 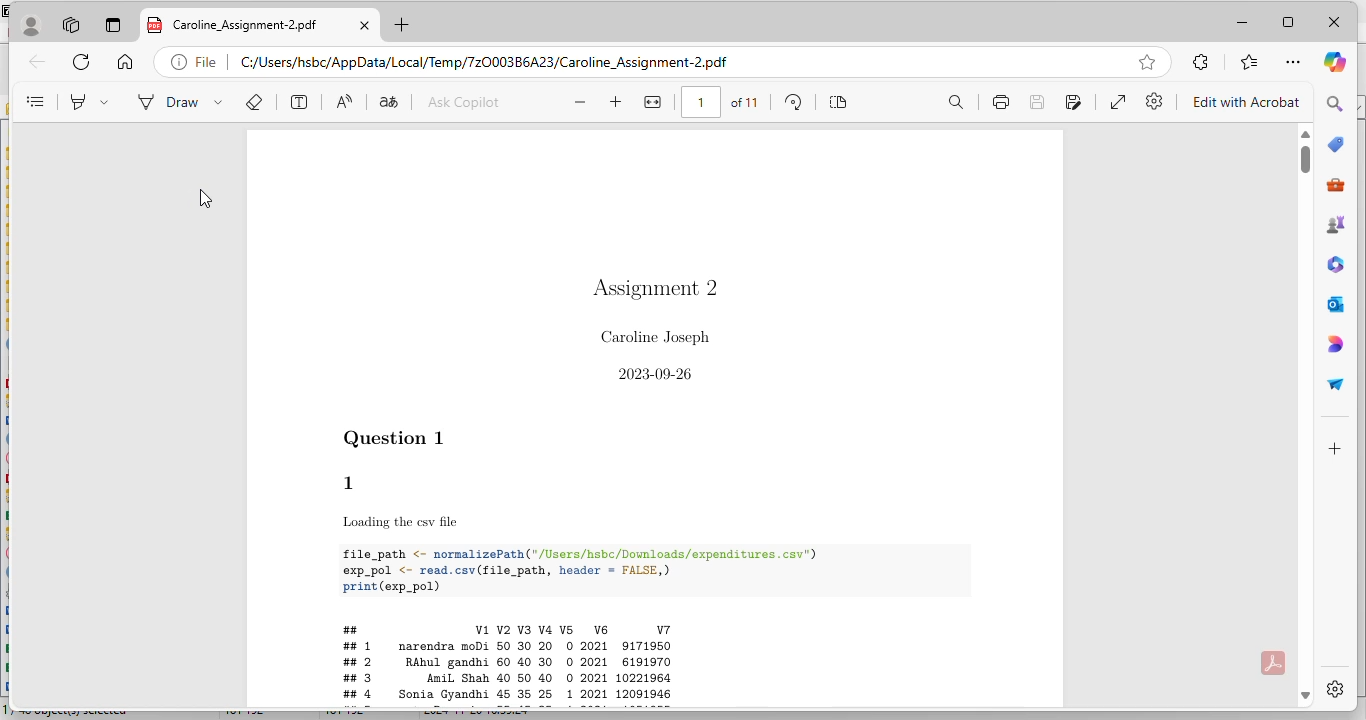 What do you see at coordinates (1202, 62) in the screenshot?
I see `extensions` at bounding box center [1202, 62].